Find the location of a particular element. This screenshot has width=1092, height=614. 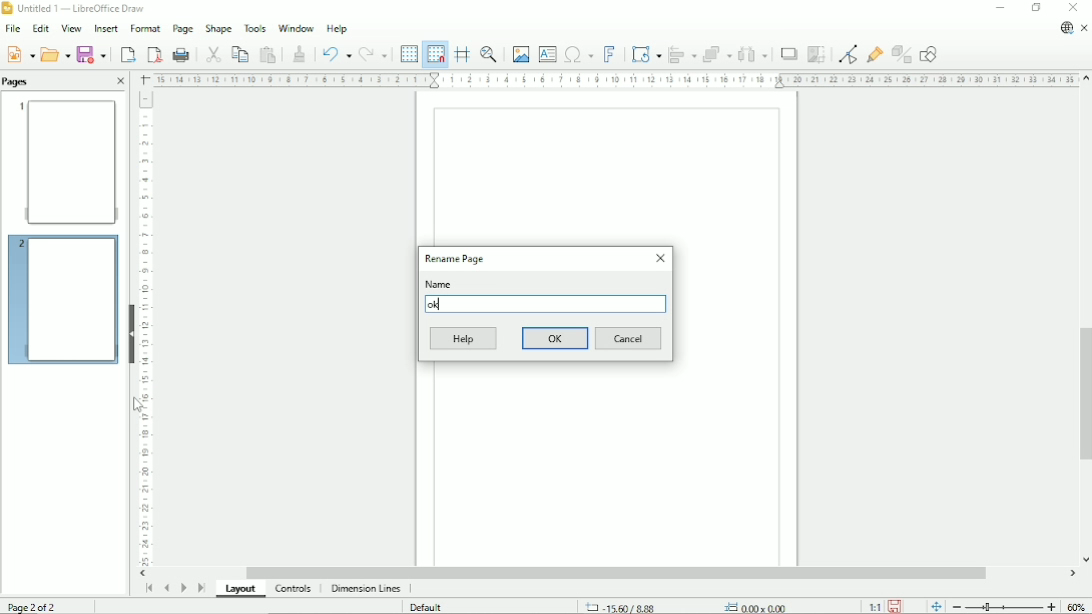

Export is located at coordinates (126, 54).